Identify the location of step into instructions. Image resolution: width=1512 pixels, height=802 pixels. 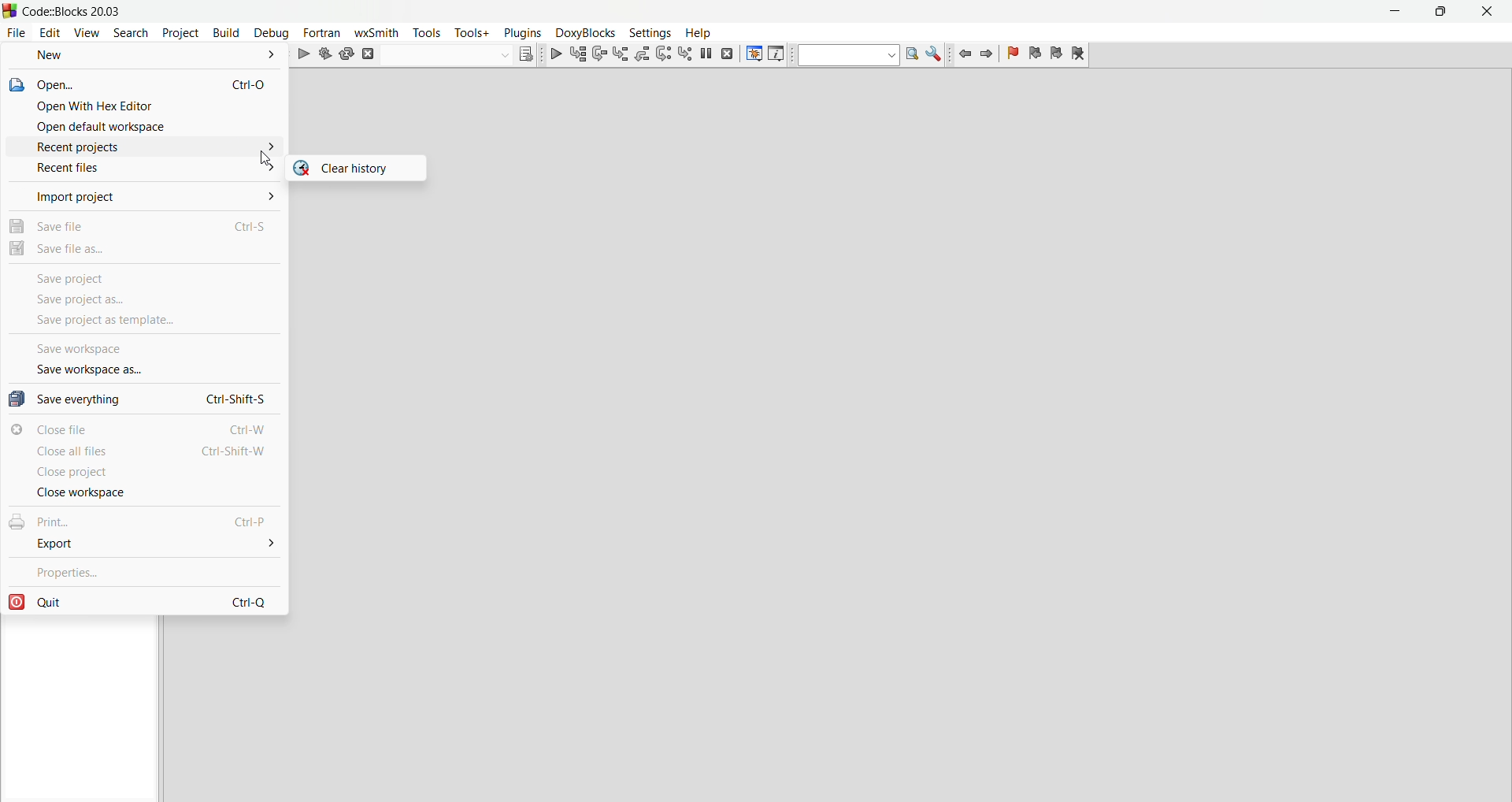
(686, 54).